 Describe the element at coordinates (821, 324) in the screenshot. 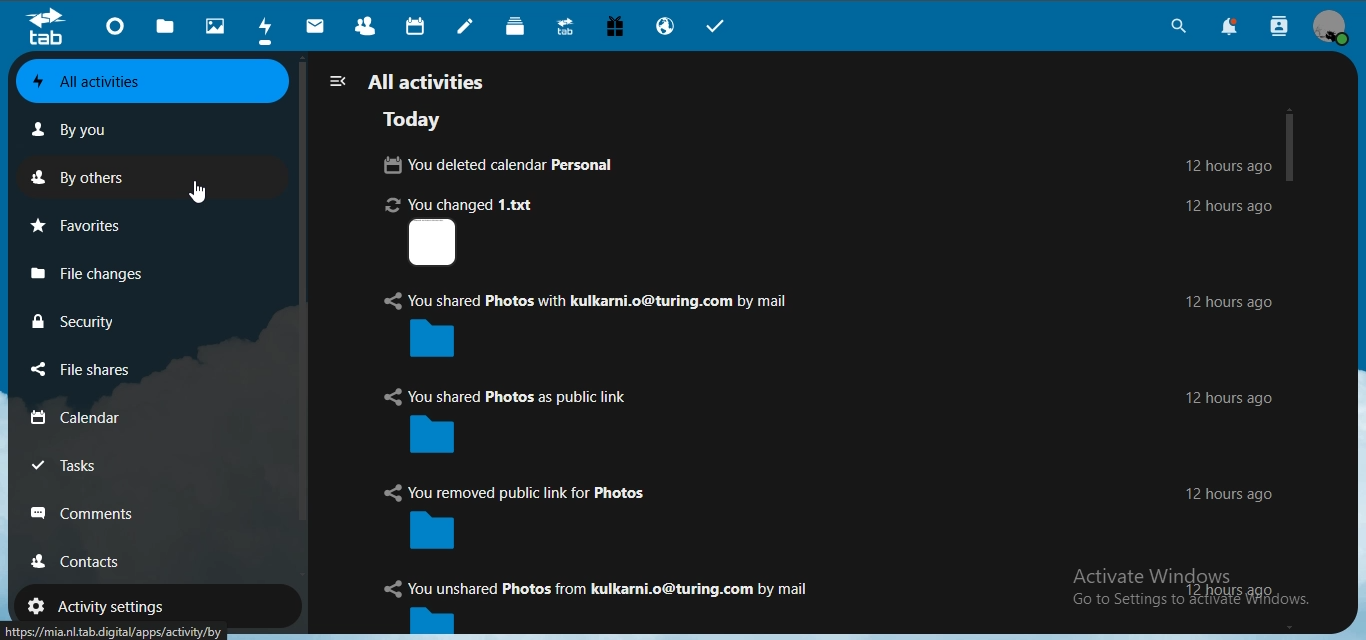

I see ` You shared Photos with kulkarni.o@turing.com by mail 12 hours ago` at that location.